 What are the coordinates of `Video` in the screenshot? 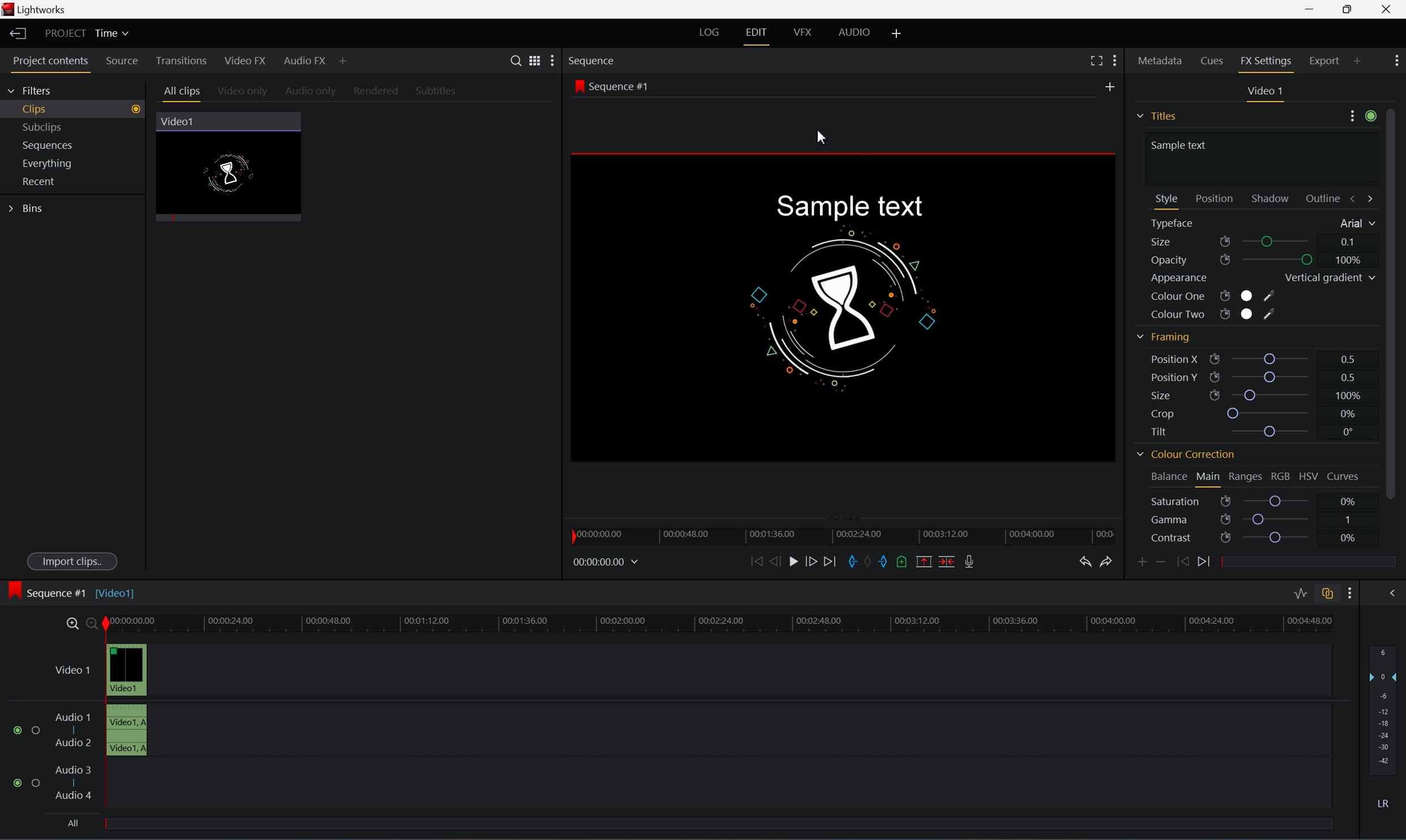 It's located at (237, 174).